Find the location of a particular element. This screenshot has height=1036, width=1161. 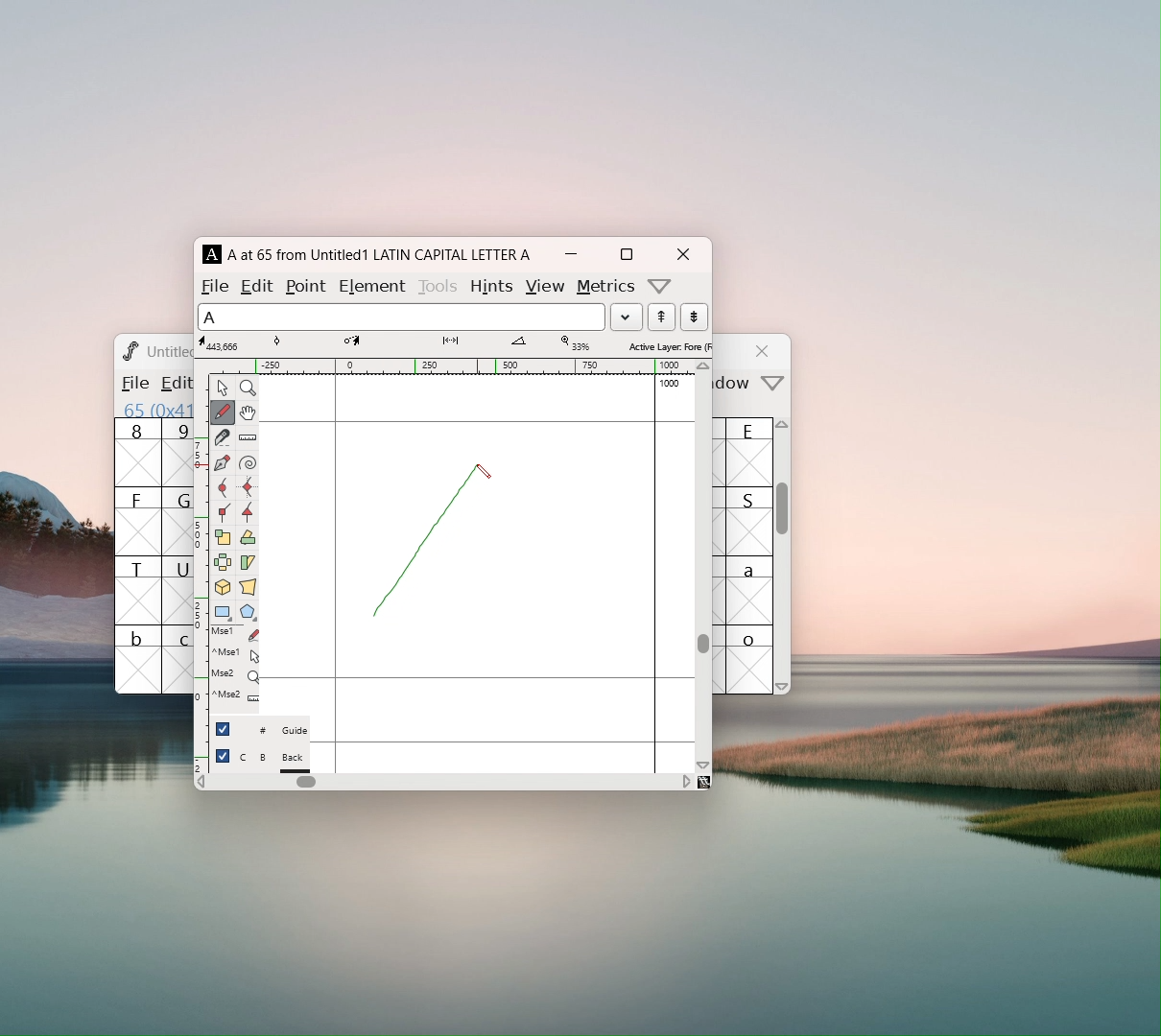

maginify is located at coordinates (248, 388).